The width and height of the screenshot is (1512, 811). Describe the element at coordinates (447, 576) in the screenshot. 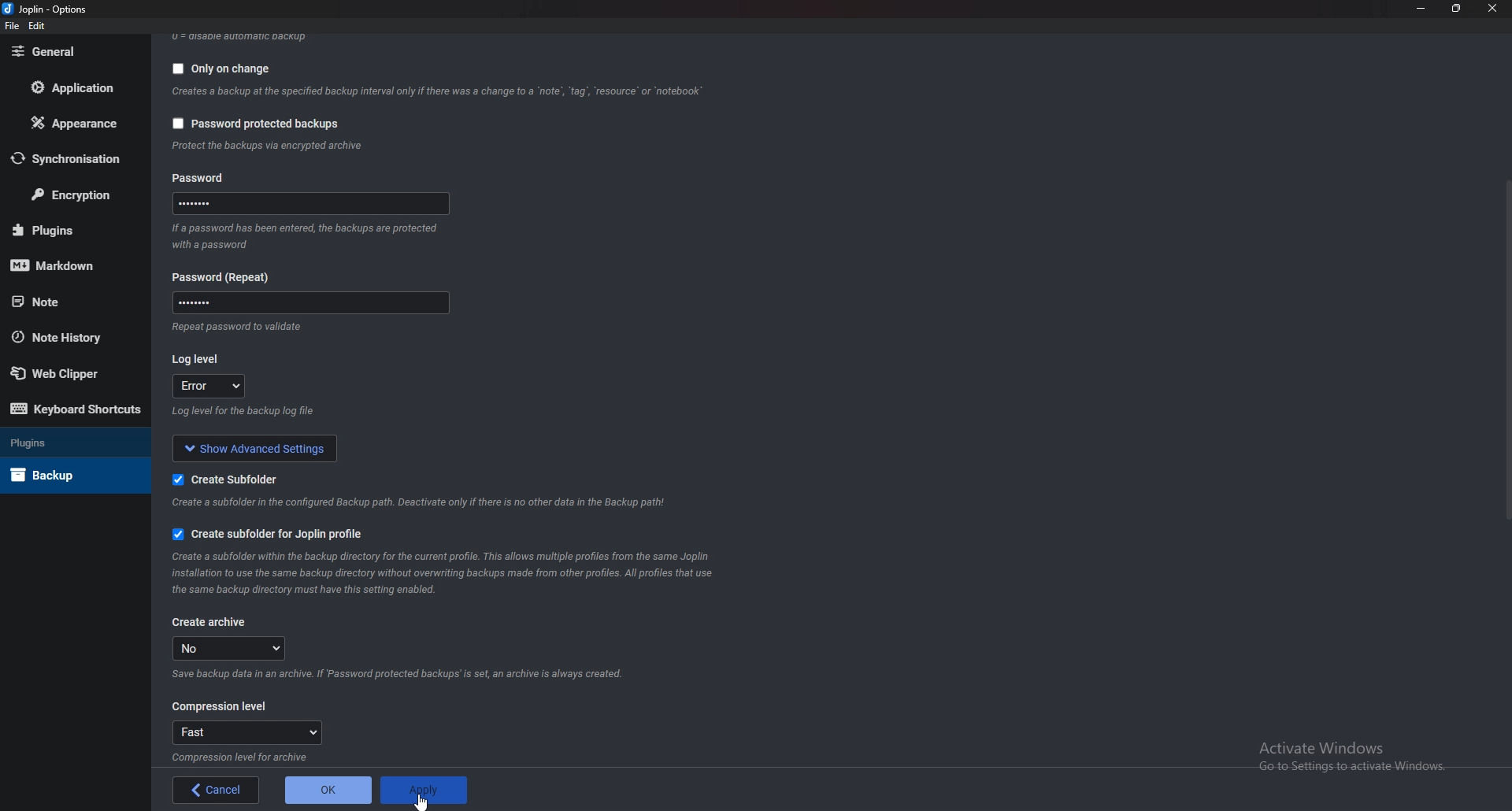

I see `Info on subfolder for joplin profile` at that location.